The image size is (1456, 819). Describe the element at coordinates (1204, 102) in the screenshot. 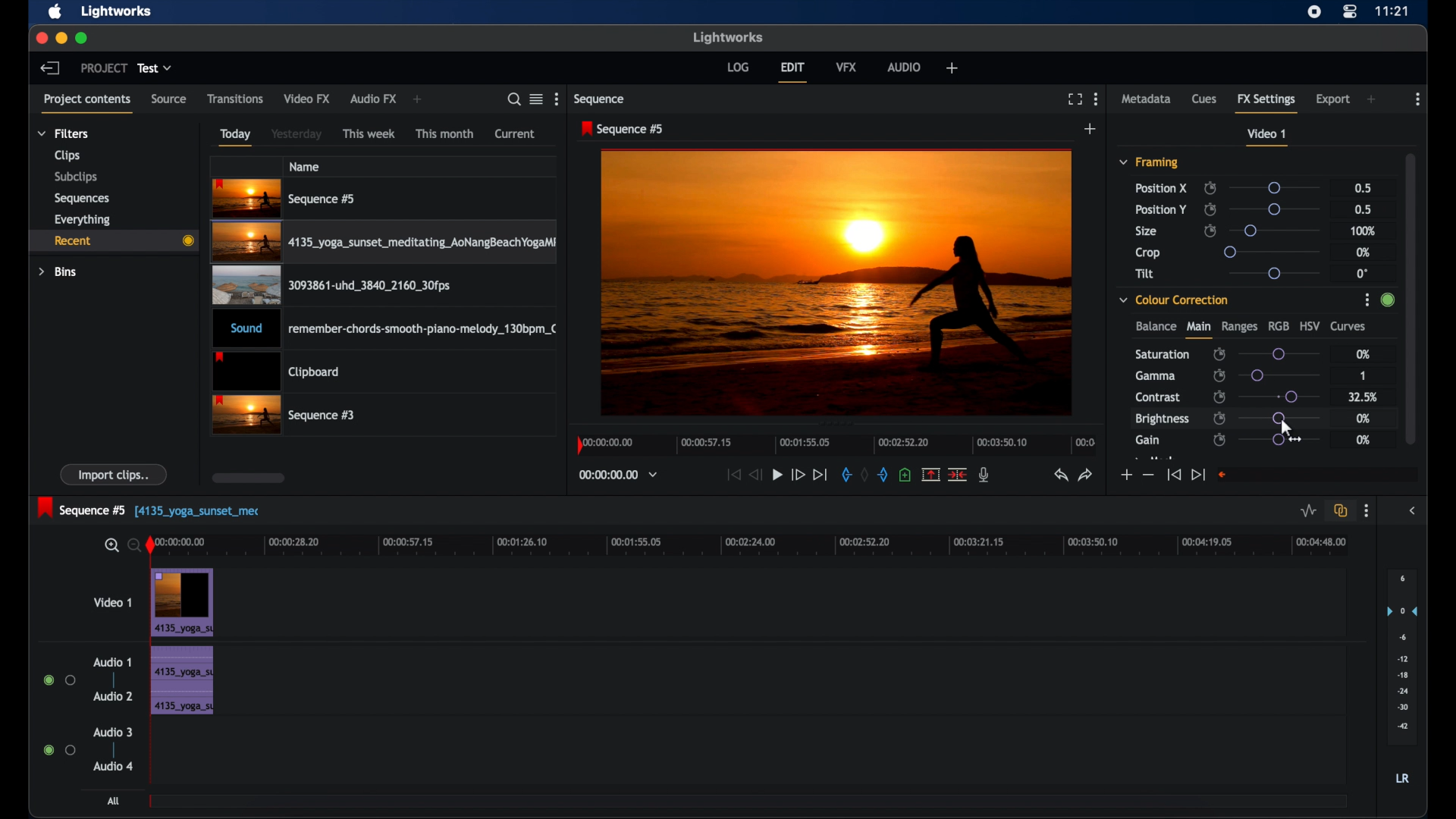

I see `cues` at that location.